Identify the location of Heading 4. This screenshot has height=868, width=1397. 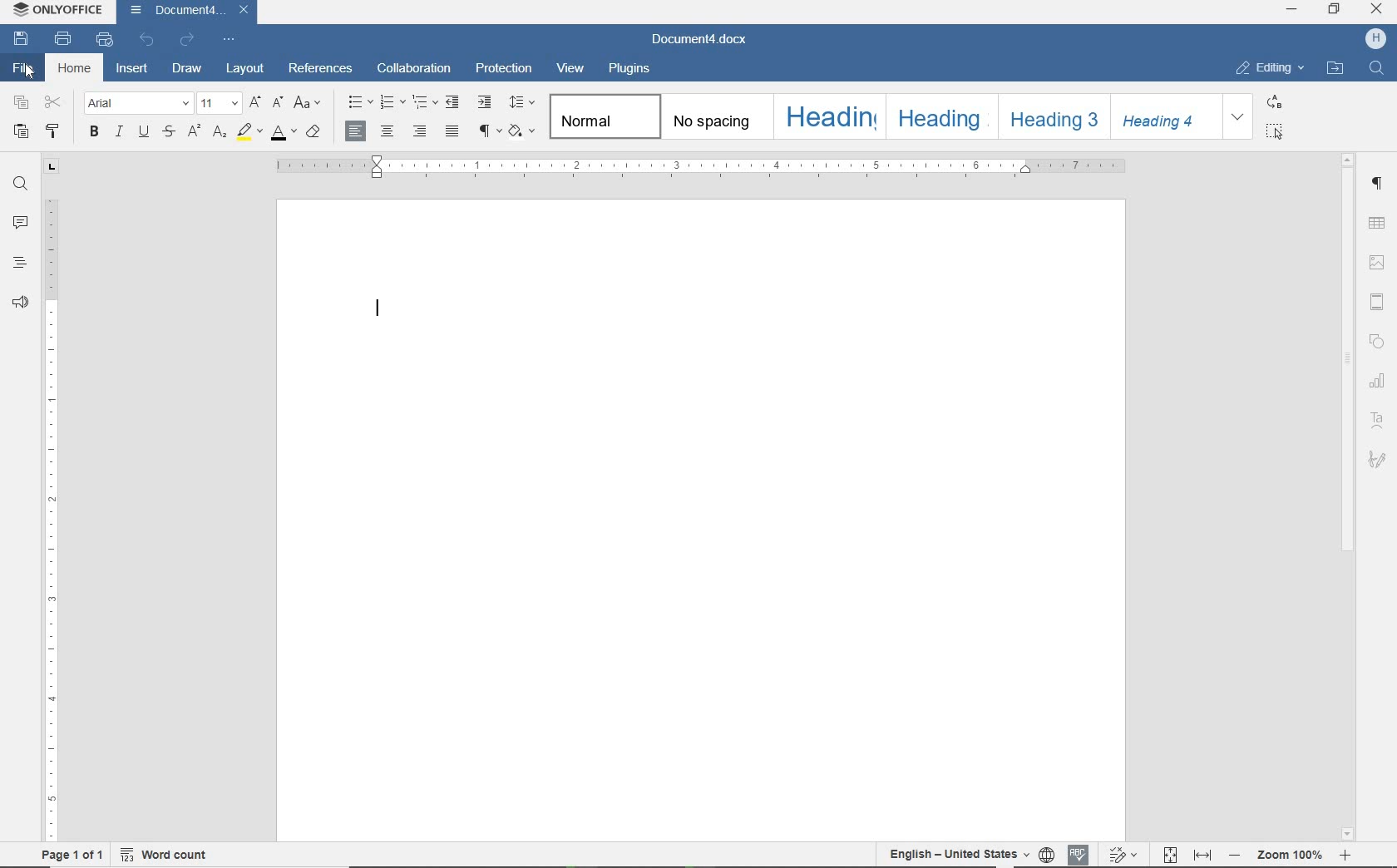
(1168, 118).